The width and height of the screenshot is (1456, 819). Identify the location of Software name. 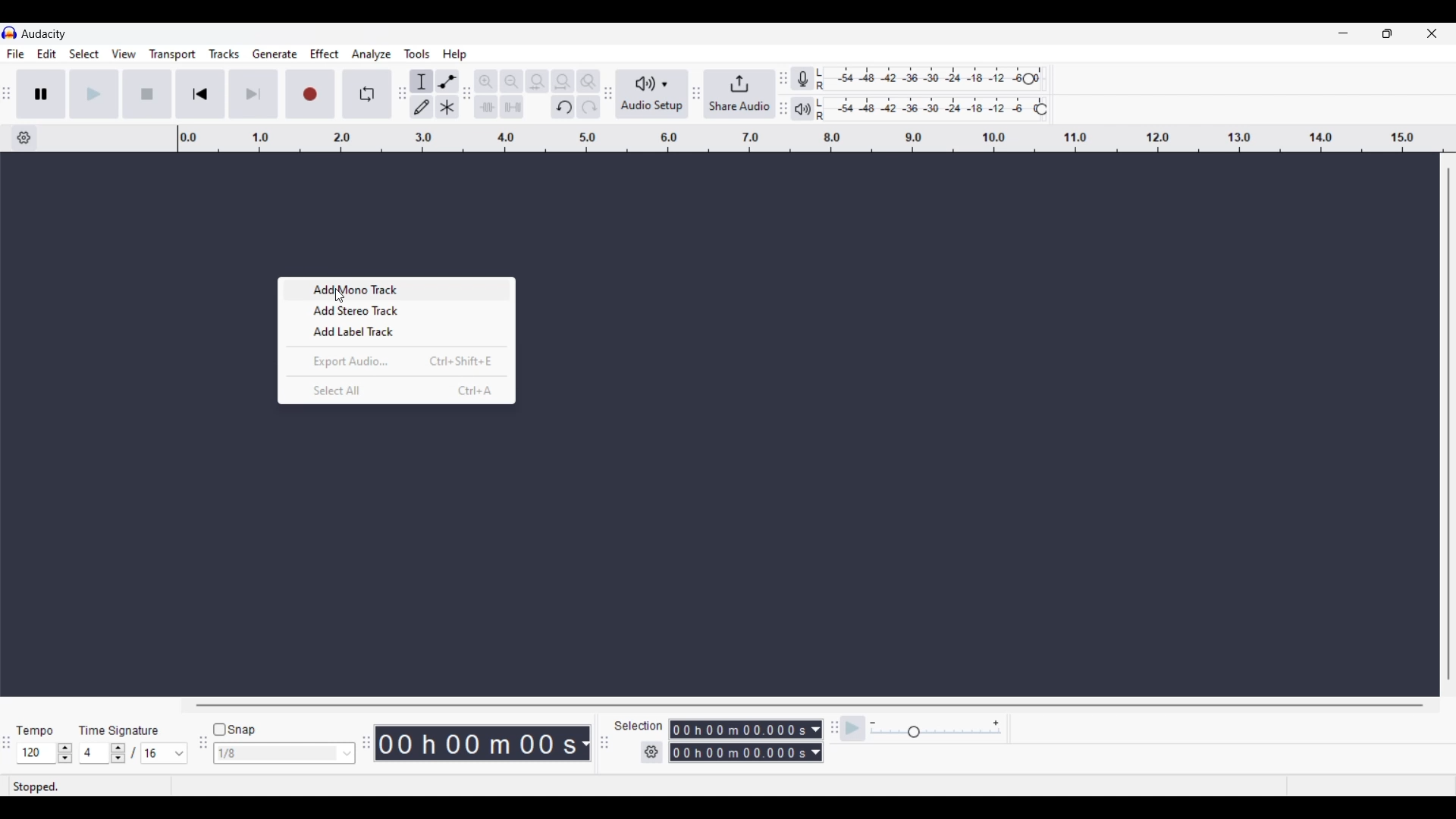
(44, 33).